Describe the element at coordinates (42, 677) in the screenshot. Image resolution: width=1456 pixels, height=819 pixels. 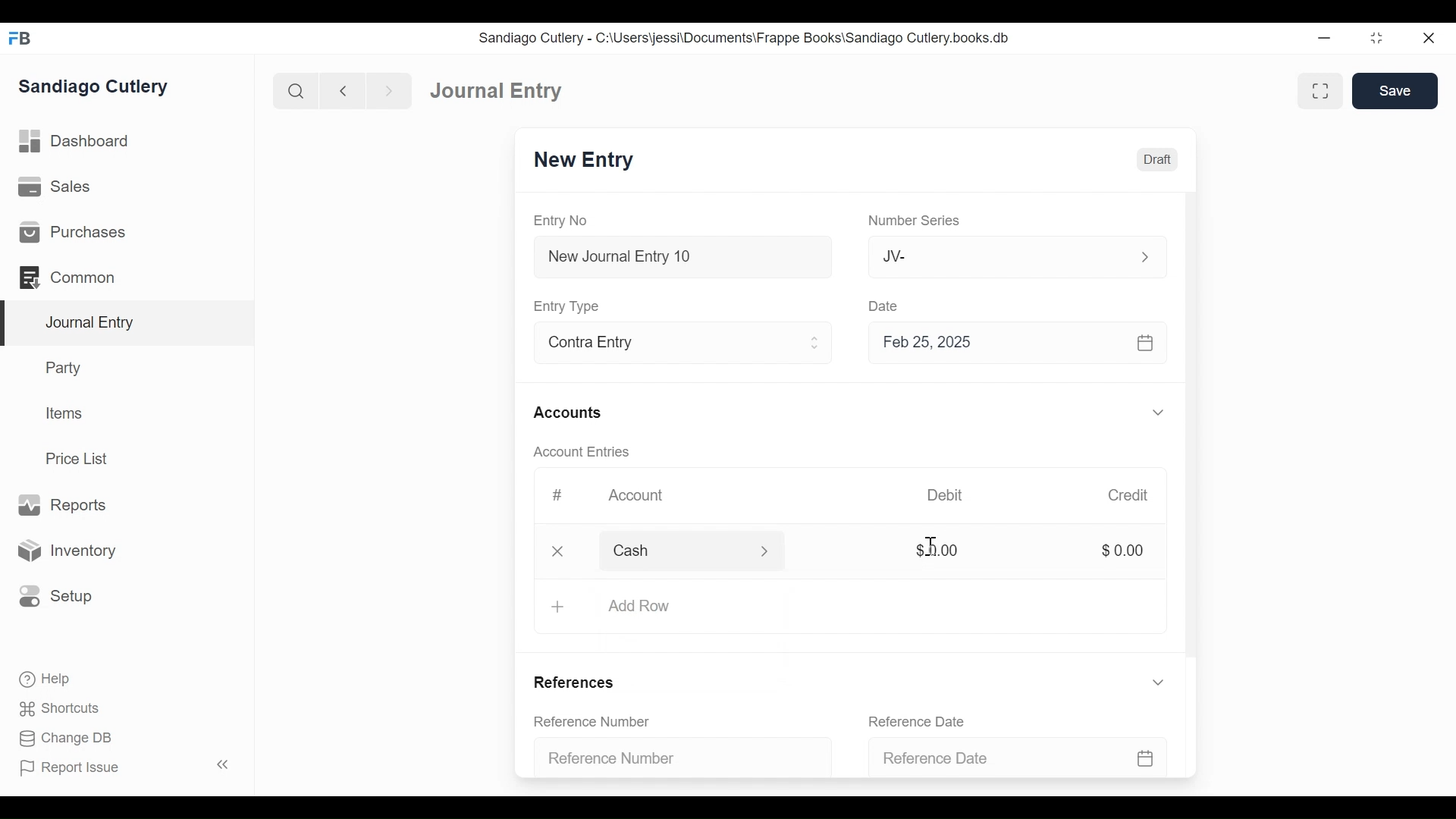
I see `Help` at that location.